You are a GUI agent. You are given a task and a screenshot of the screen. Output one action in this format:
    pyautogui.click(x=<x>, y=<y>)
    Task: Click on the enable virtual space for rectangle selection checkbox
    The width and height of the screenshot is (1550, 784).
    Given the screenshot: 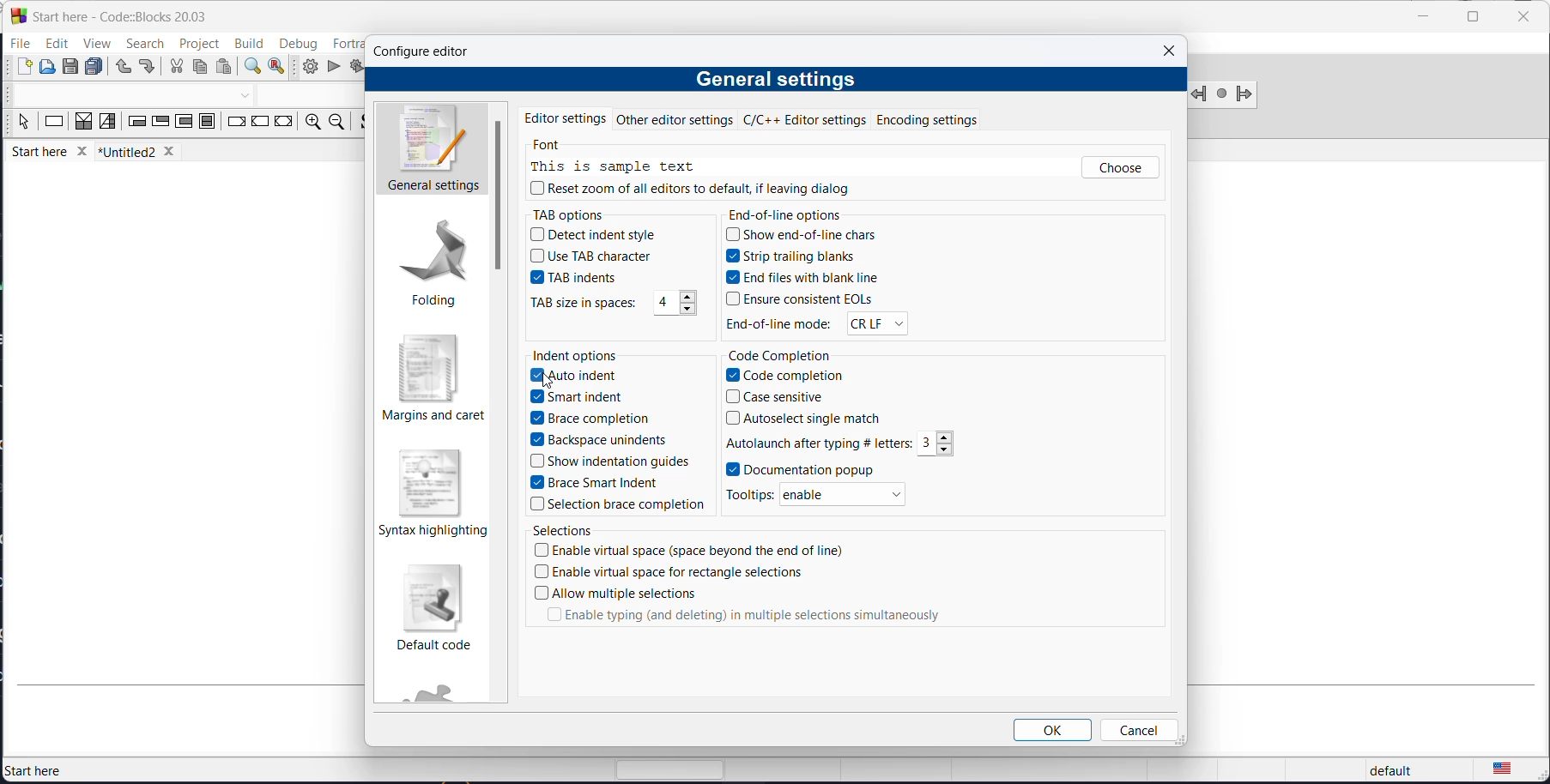 What is the action you would take?
    pyautogui.click(x=680, y=572)
    